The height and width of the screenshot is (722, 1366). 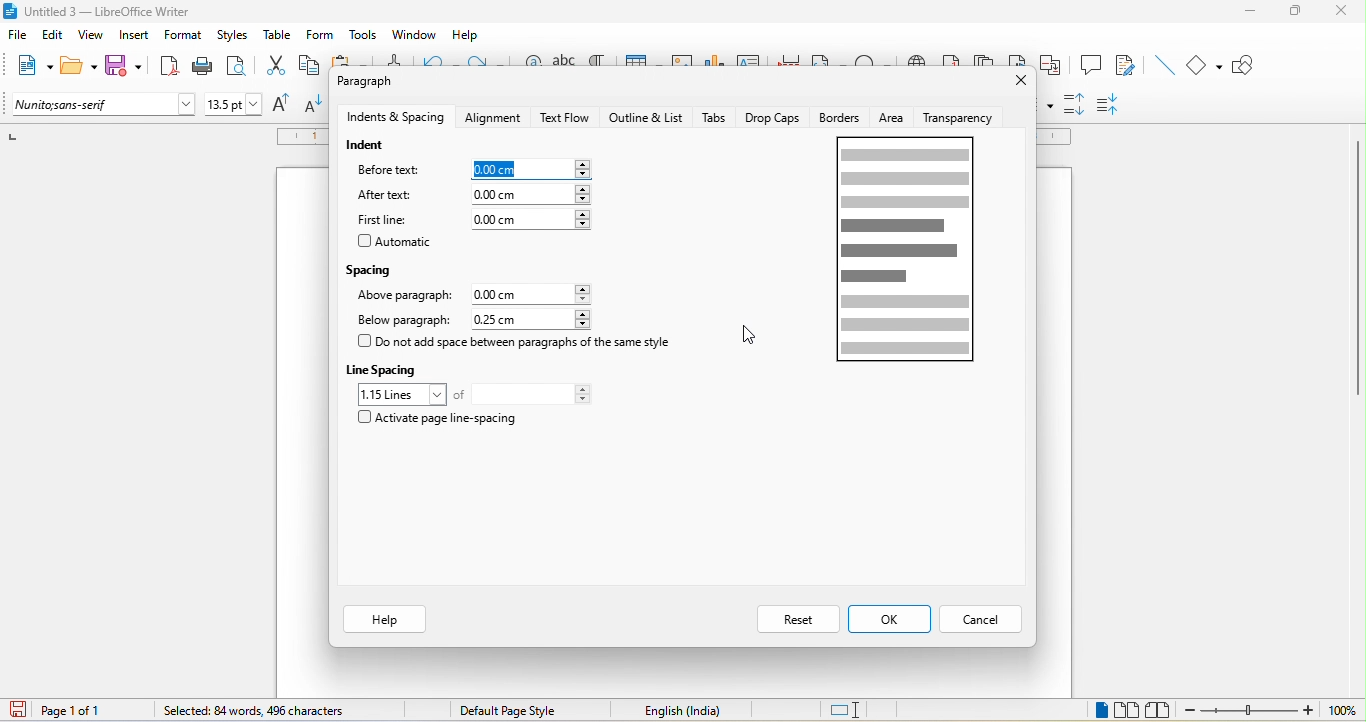 I want to click on save, so click(x=125, y=66).